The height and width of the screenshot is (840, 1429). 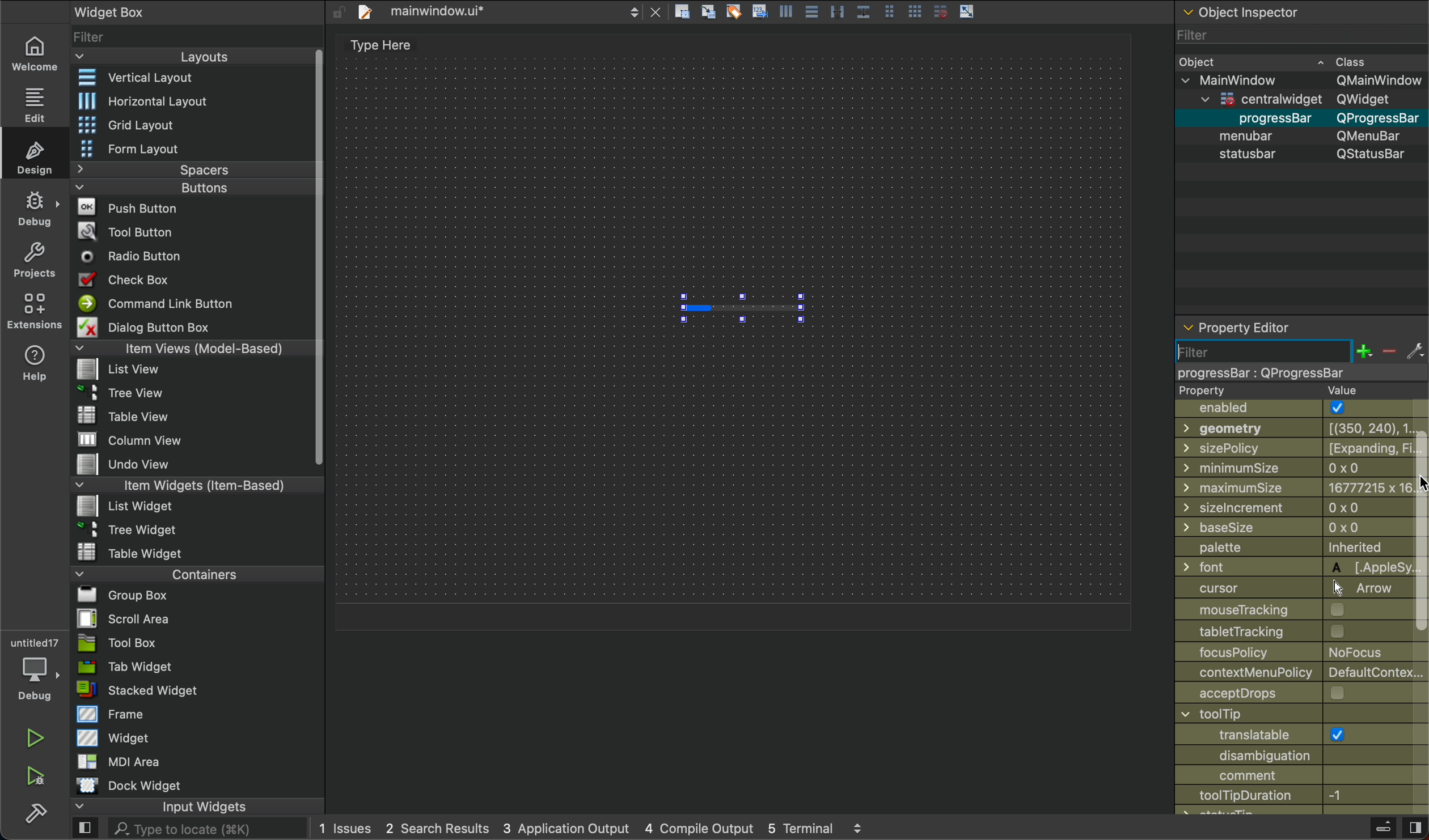 I want to click on Command button, so click(x=161, y=303).